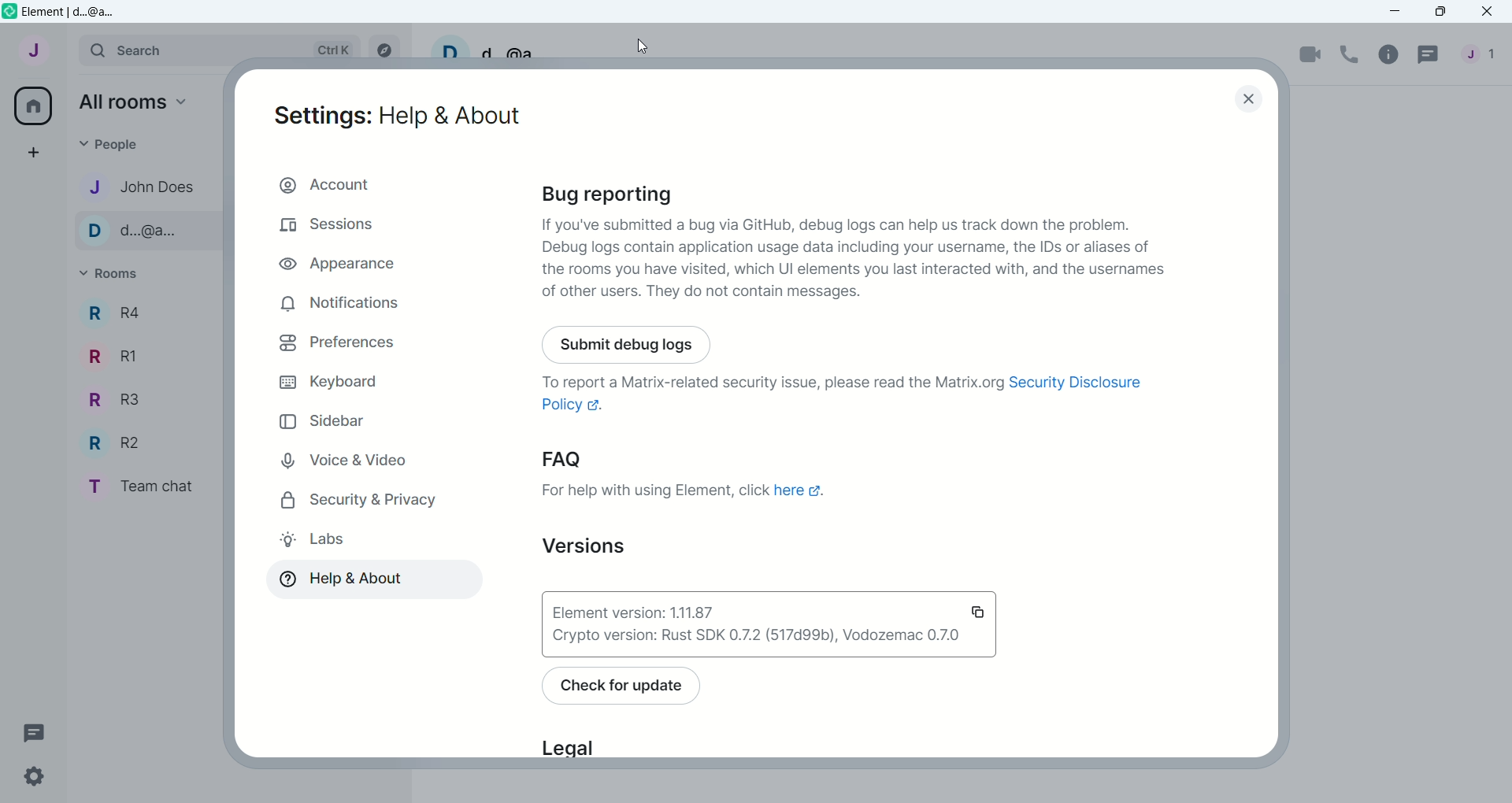  What do you see at coordinates (748, 379) in the screenshot?
I see `To report a Matrix-related security issue, please read the Matrix.org` at bounding box center [748, 379].